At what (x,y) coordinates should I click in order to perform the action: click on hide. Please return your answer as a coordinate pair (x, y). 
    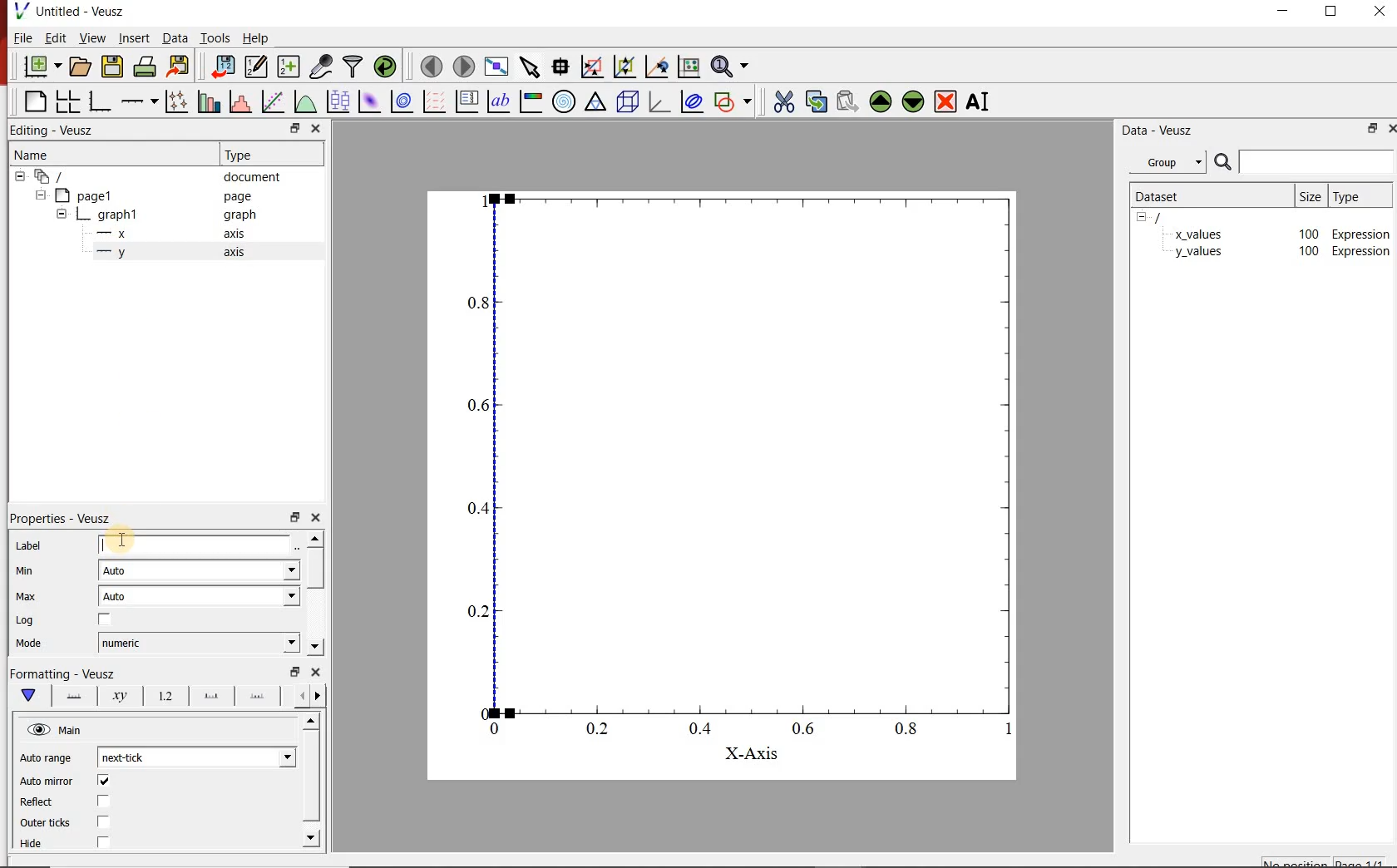
    Looking at the image, I should click on (40, 195).